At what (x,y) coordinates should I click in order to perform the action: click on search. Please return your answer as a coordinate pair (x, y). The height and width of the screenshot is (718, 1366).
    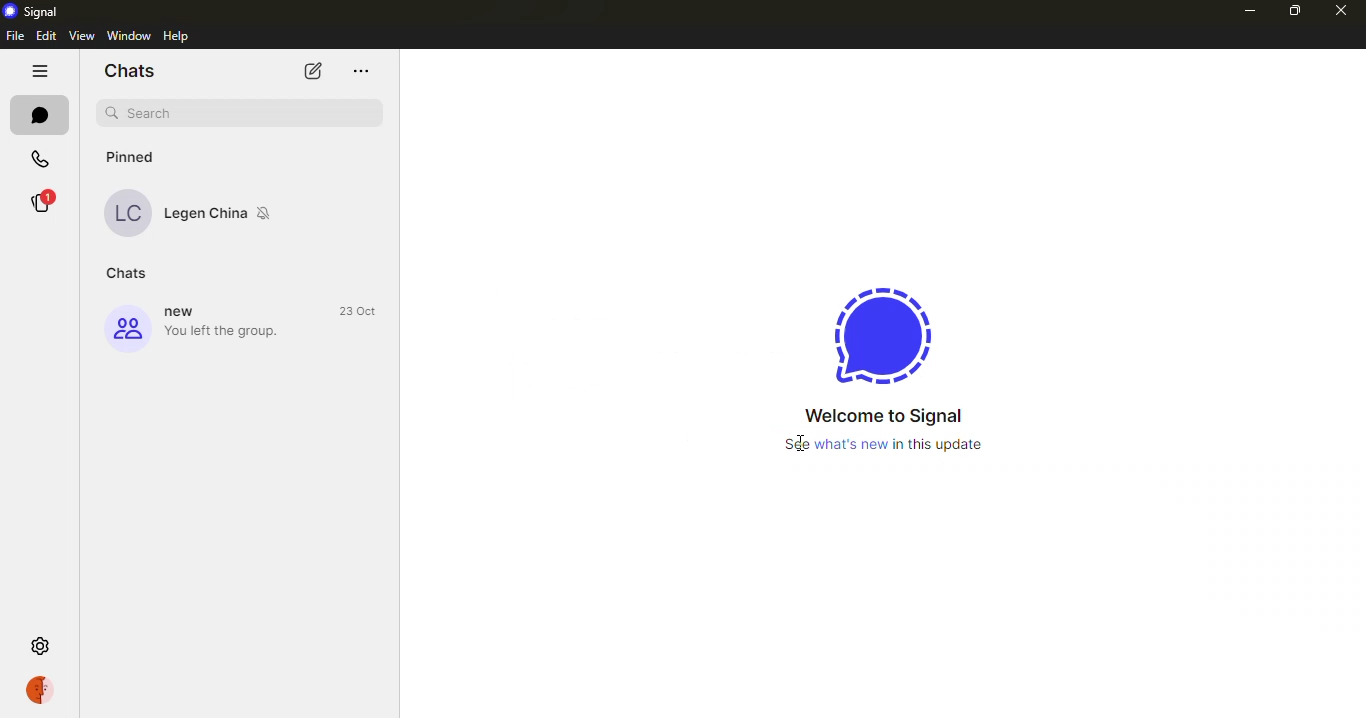
    Looking at the image, I should click on (245, 112).